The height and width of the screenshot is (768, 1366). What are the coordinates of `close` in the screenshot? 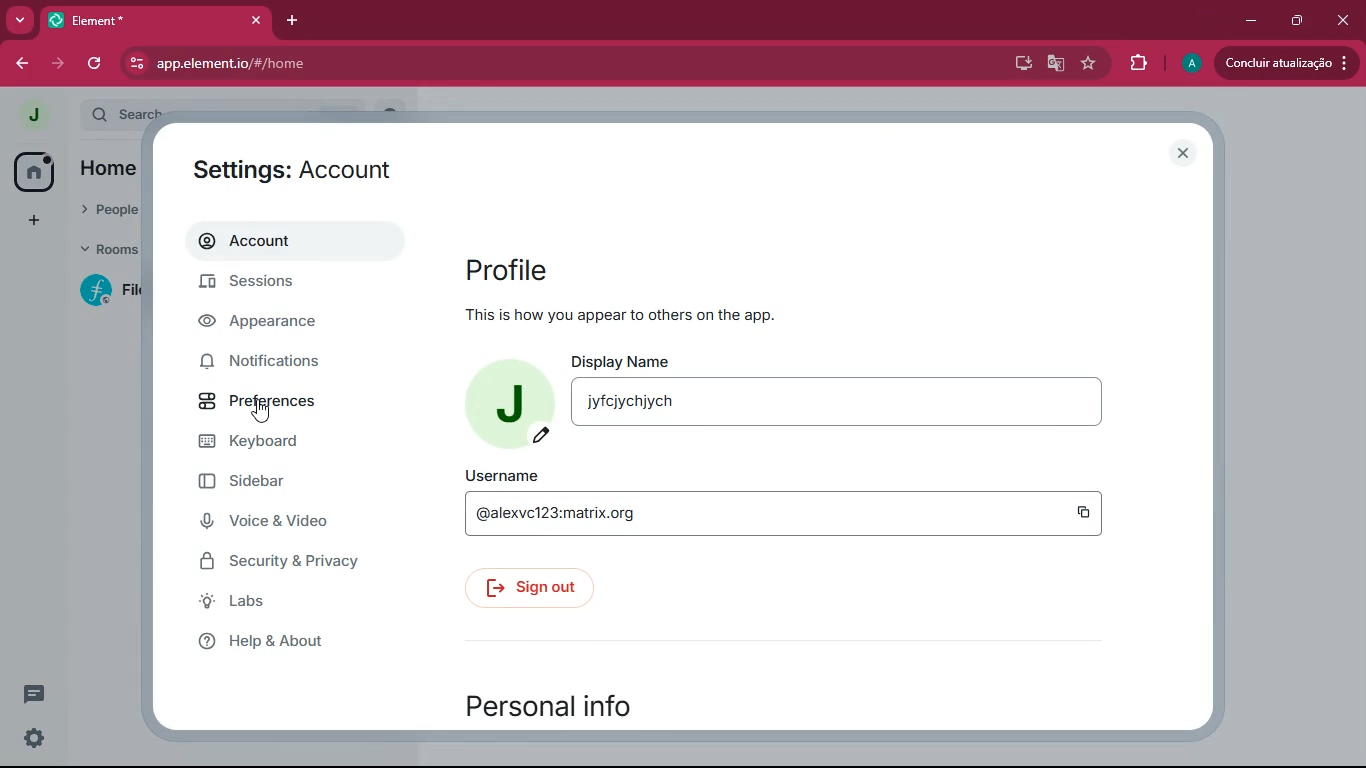 It's located at (1344, 20).